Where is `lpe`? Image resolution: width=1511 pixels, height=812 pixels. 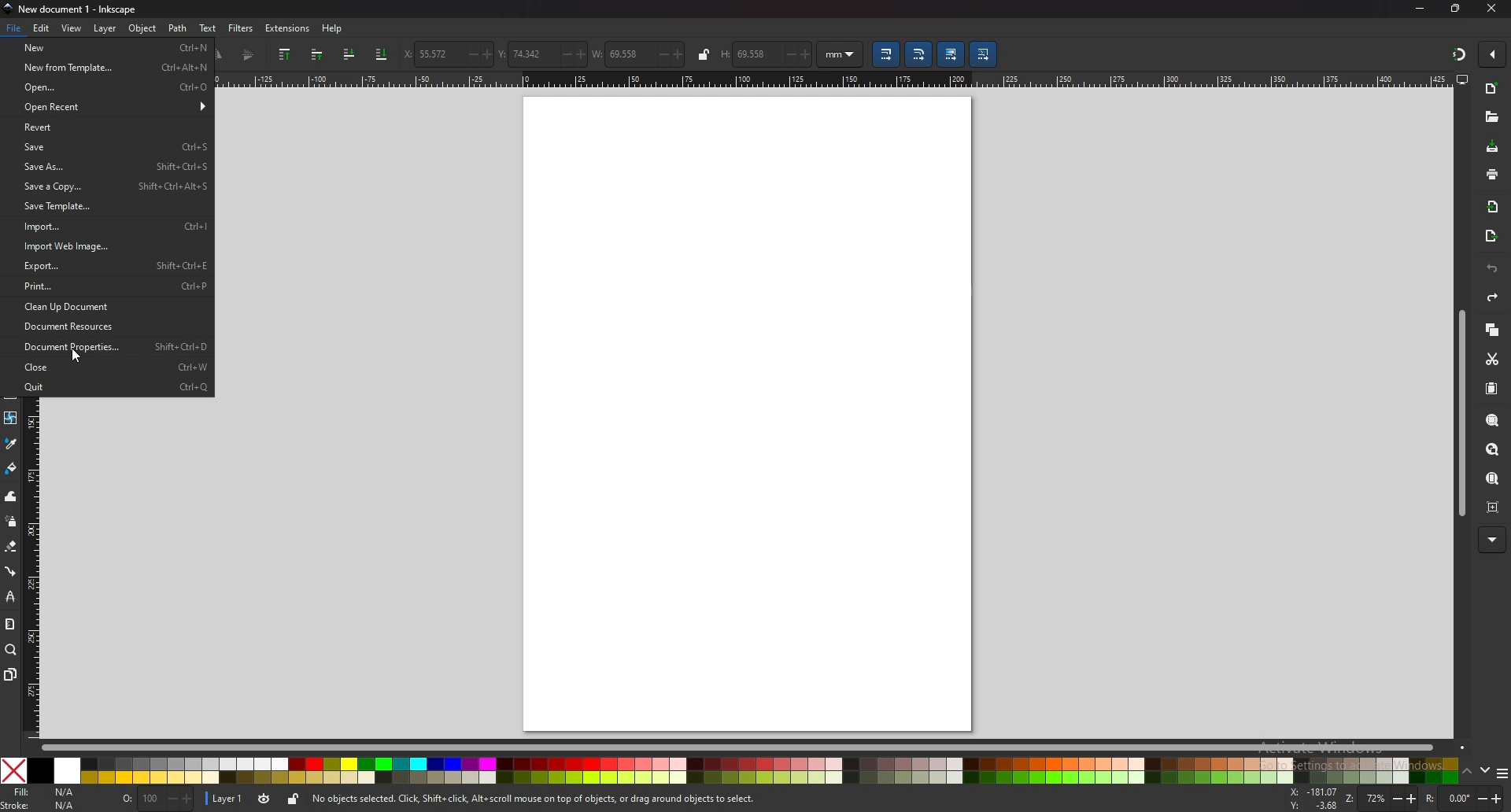
lpe is located at coordinates (9, 597).